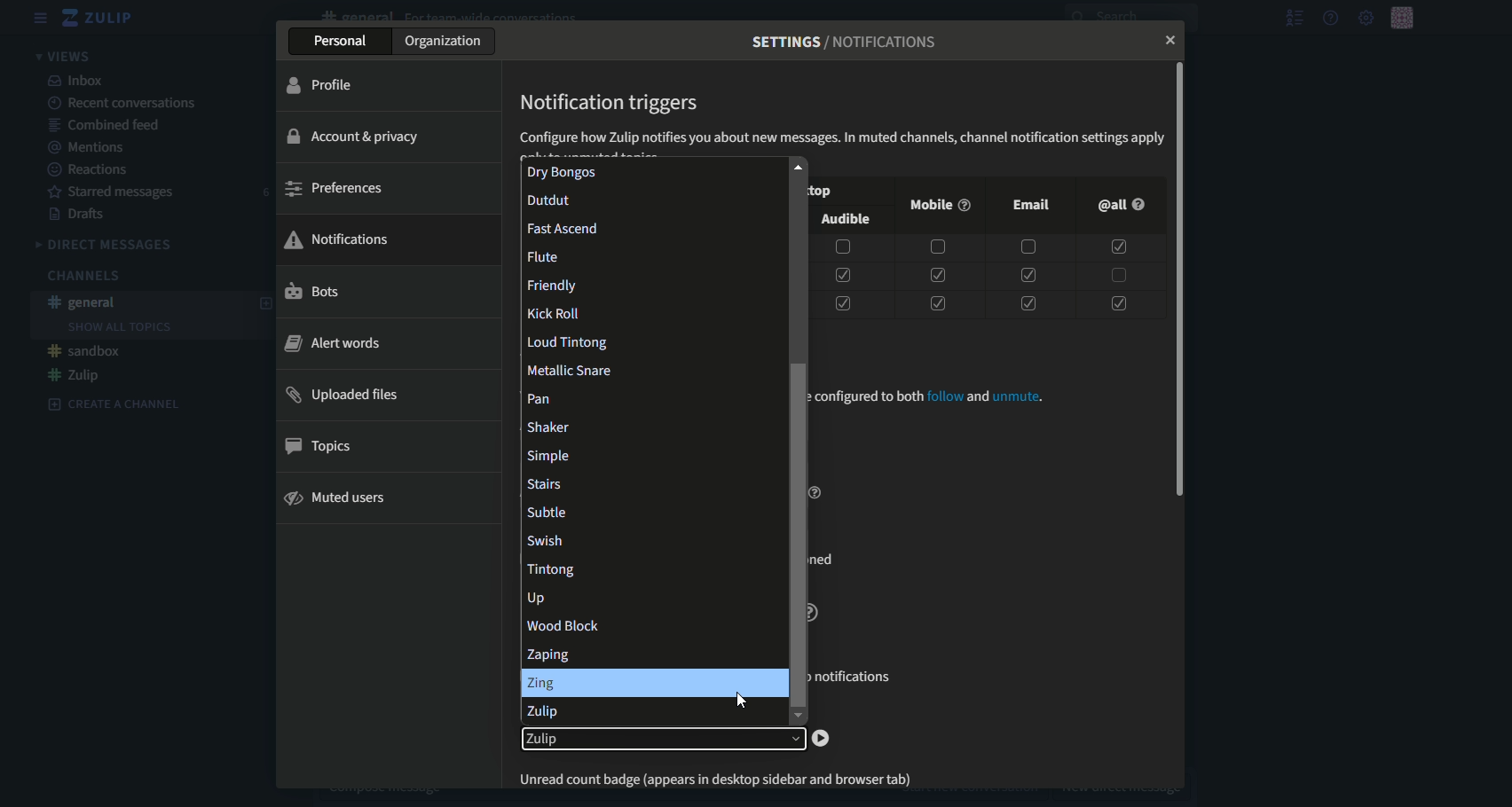 Image resolution: width=1512 pixels, height=807 pixels. I want to click on checkbox, so click(936, 275).